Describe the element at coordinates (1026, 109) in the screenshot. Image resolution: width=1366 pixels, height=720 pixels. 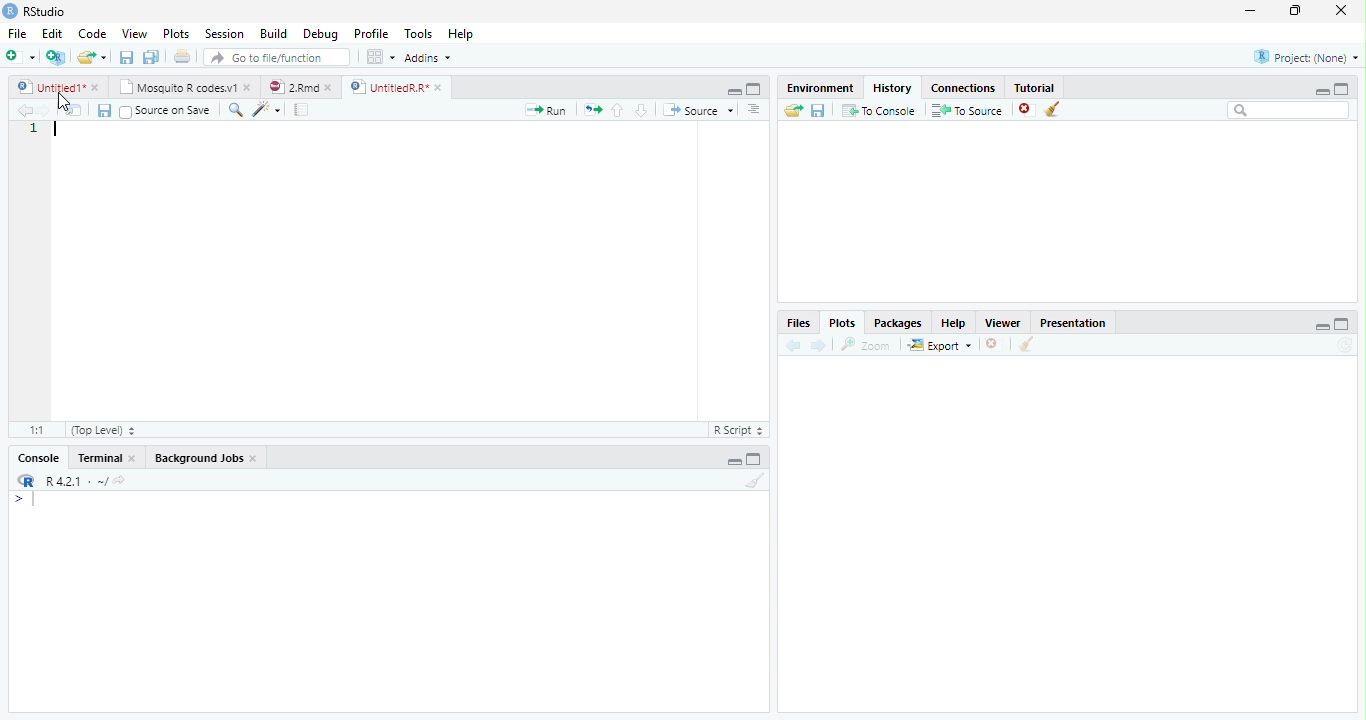
I see `Remove the selected history entries` at that location.